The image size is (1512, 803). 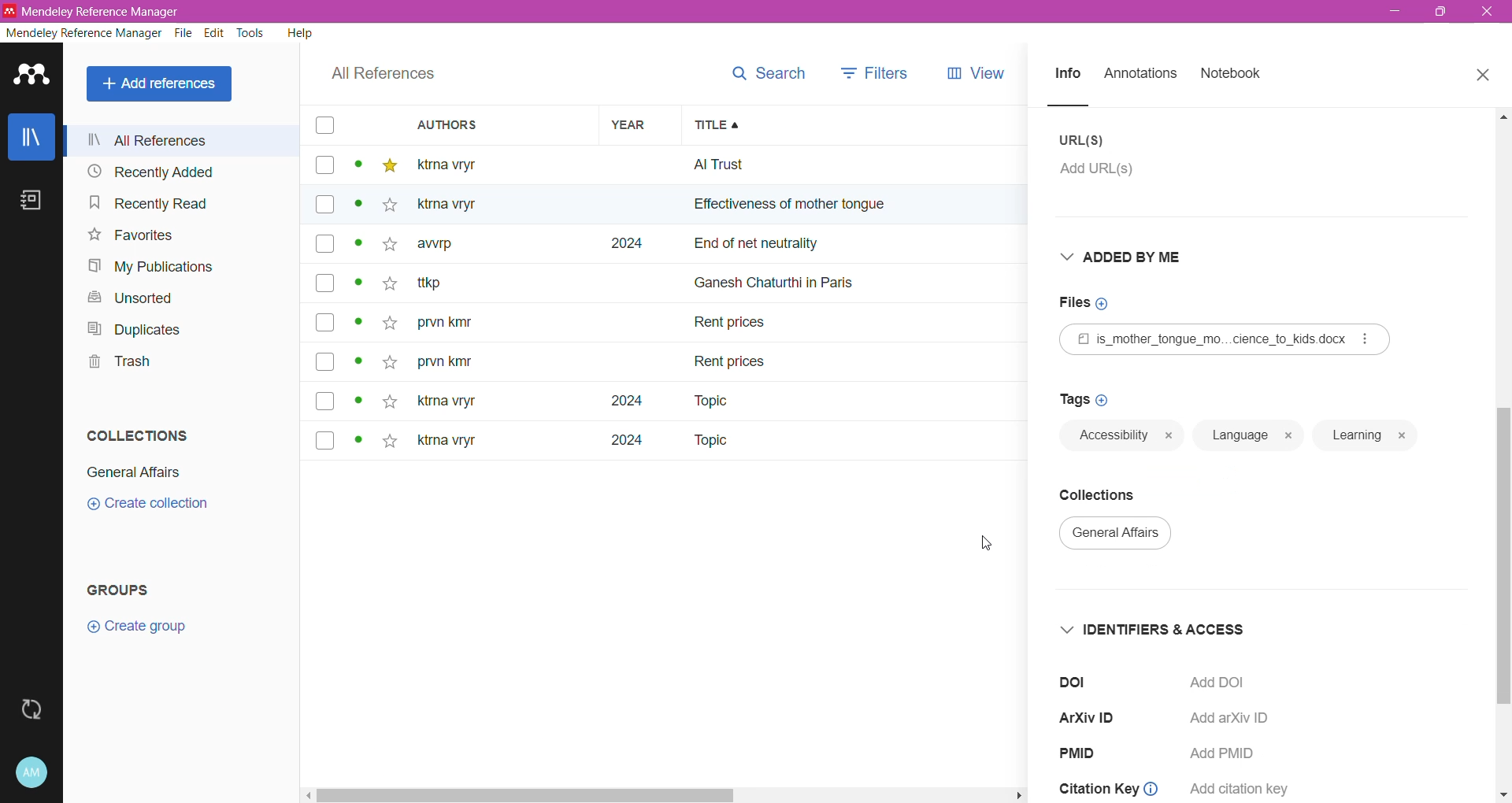 What do you see at coordinates (445, 364) in the screenshot?
I see `prvn kity` at bounding box center [445, 364].